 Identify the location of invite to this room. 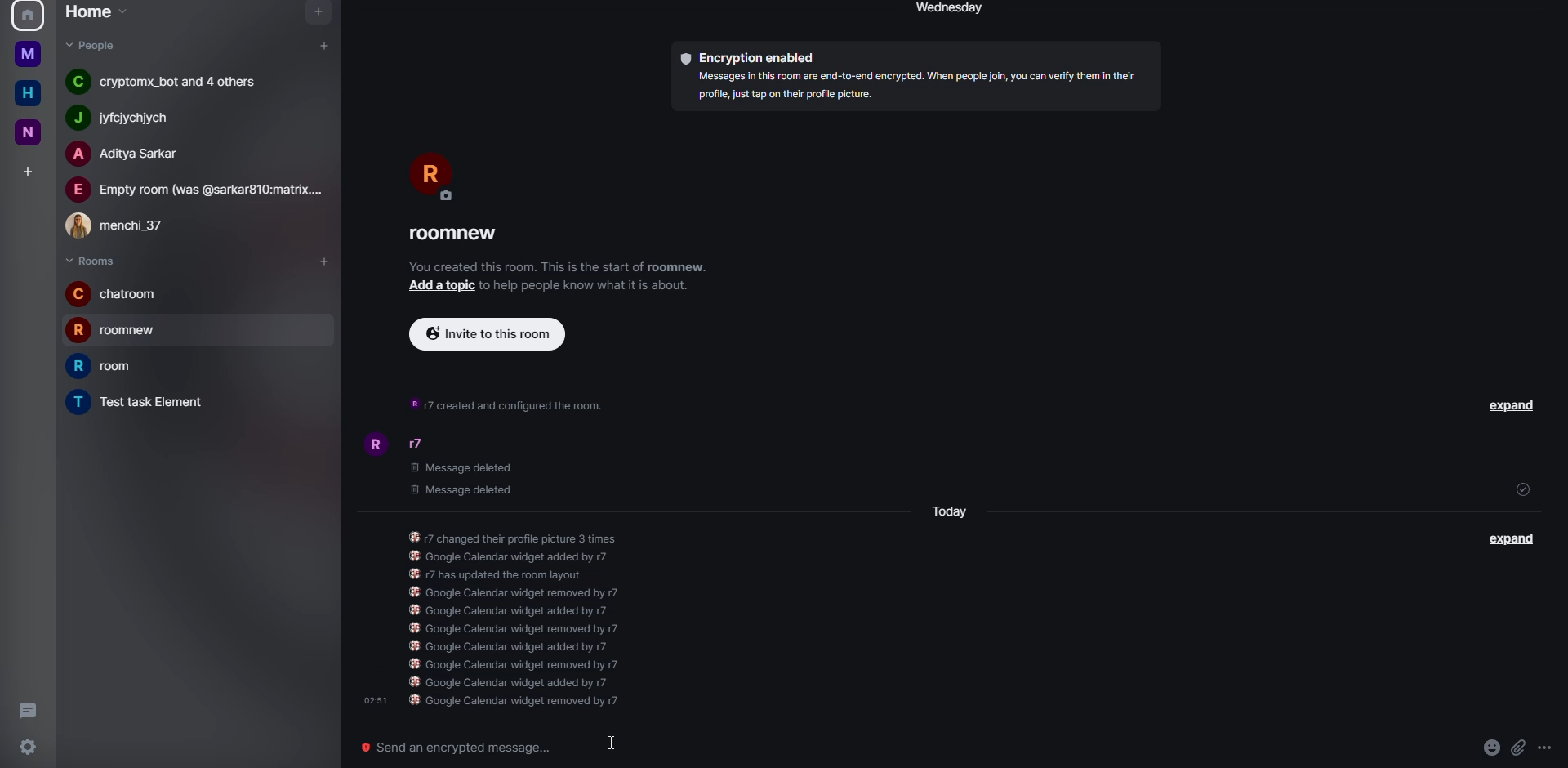
(488, 335).